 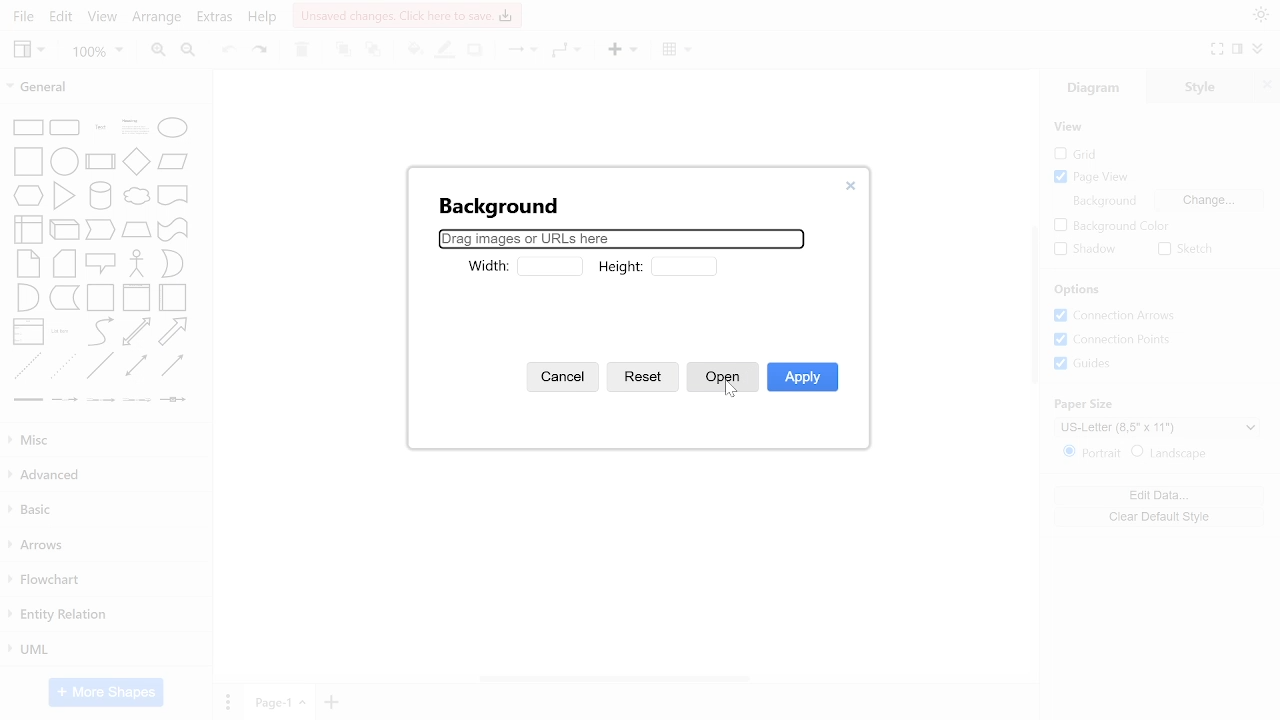 What do you see at coordinates (173, 264) in the screenshot?
I see `general shapes` at bounding box center [173, 264].